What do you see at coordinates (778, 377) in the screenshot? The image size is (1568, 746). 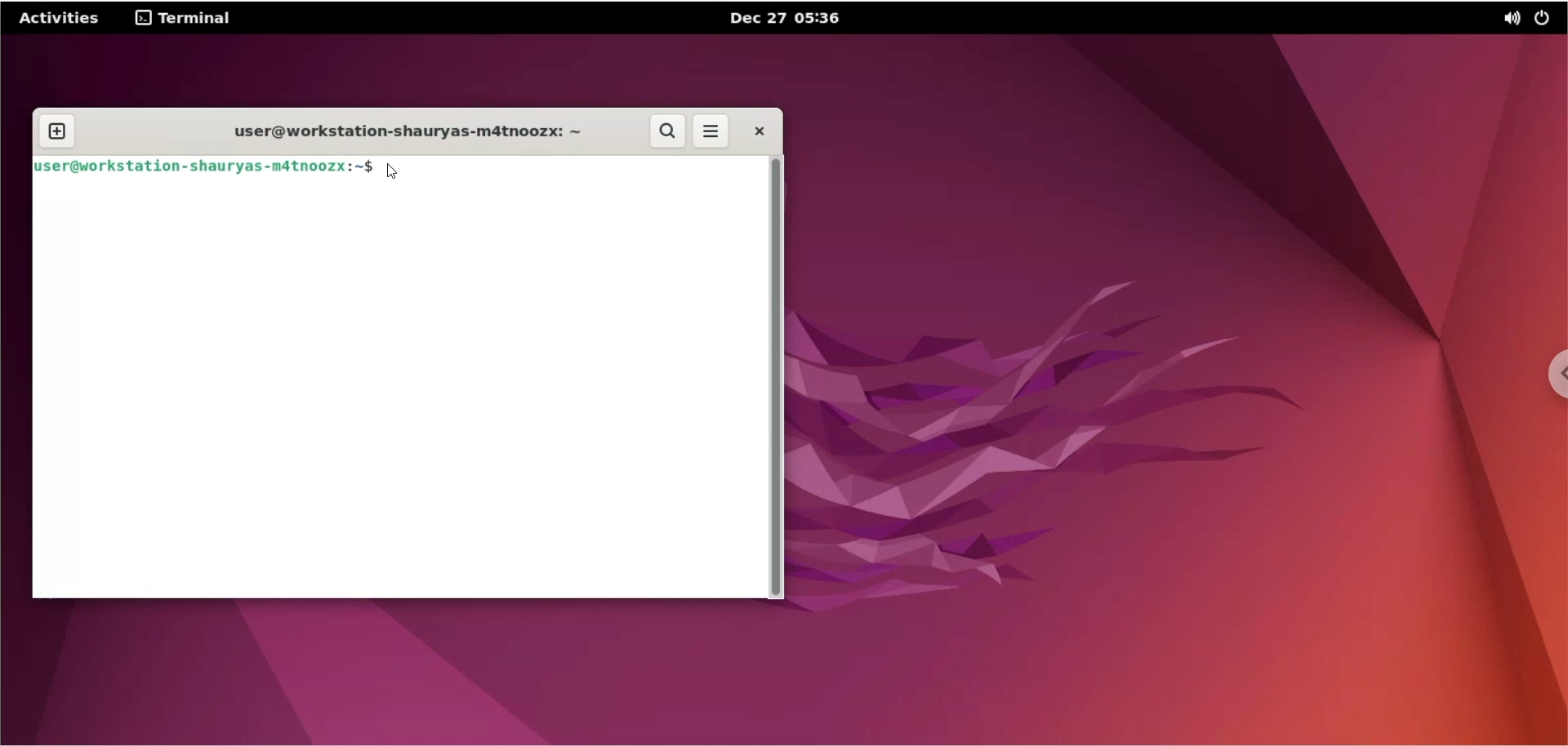 I see `scrollbar` at bounding box center [778, 377].